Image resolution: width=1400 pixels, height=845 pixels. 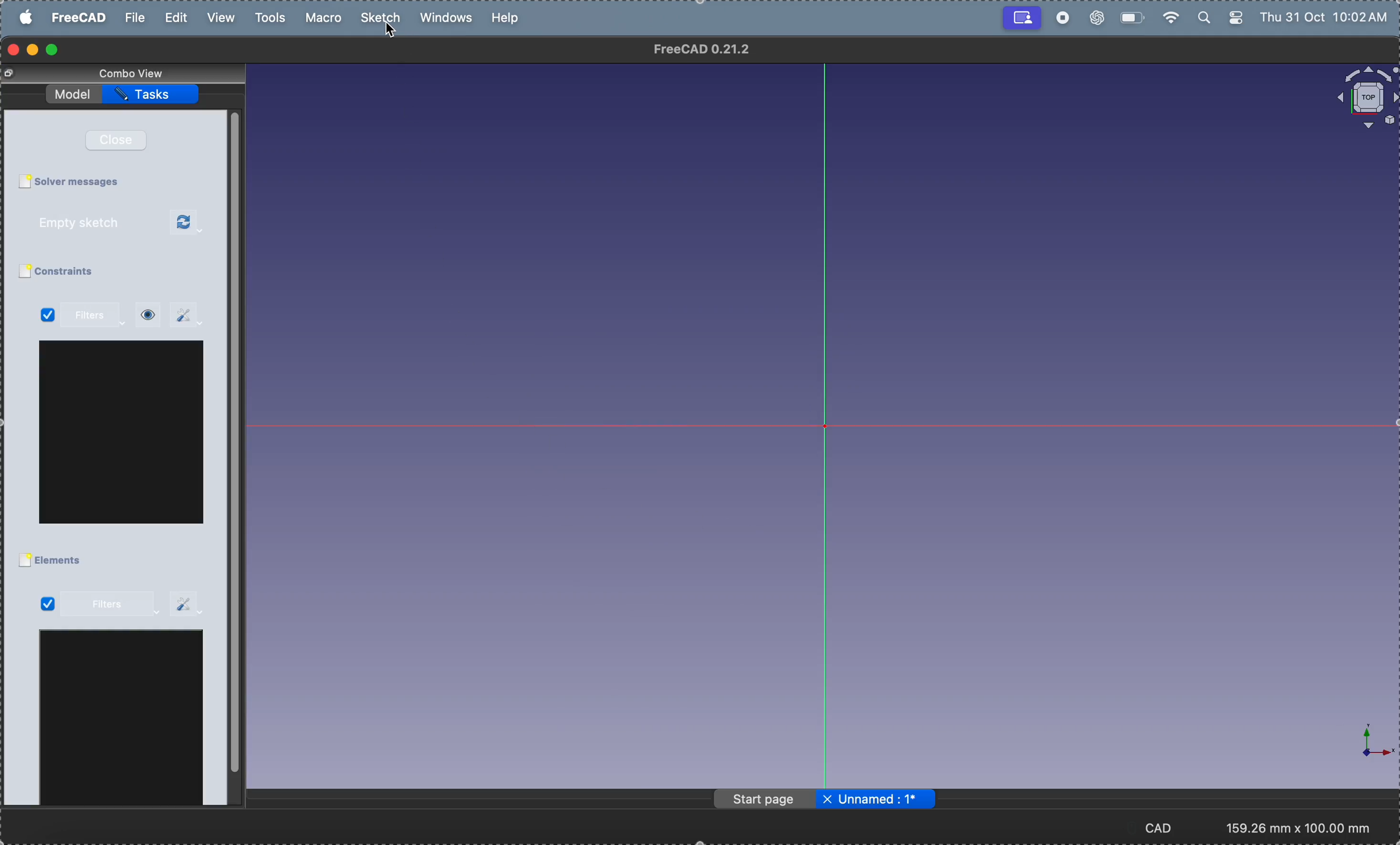 What do you see at coordinates (24, 182) in the screenshot?
I see `Checkbox` at bounding box center [24, 182].